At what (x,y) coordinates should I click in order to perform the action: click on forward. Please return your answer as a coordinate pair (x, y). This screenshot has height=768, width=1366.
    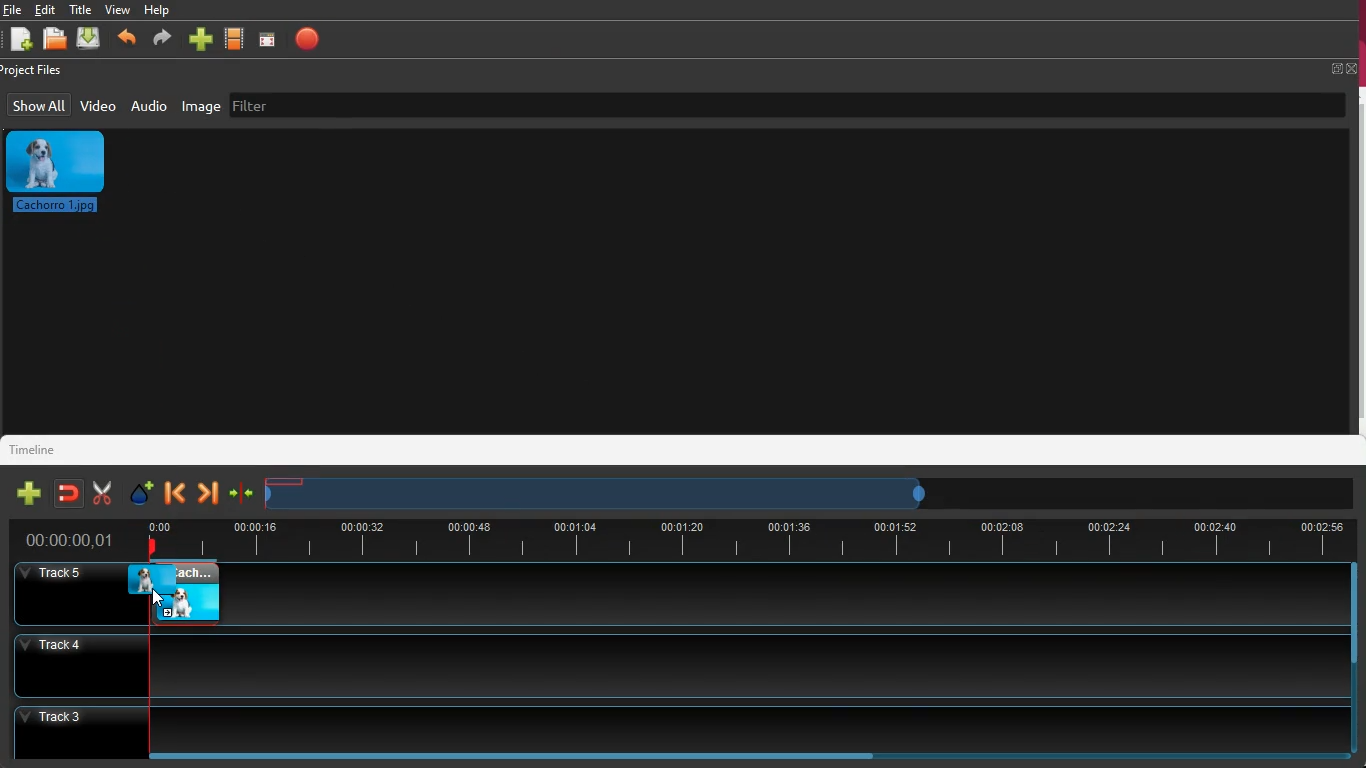
    Looking at the image, I should click on (163, 40).